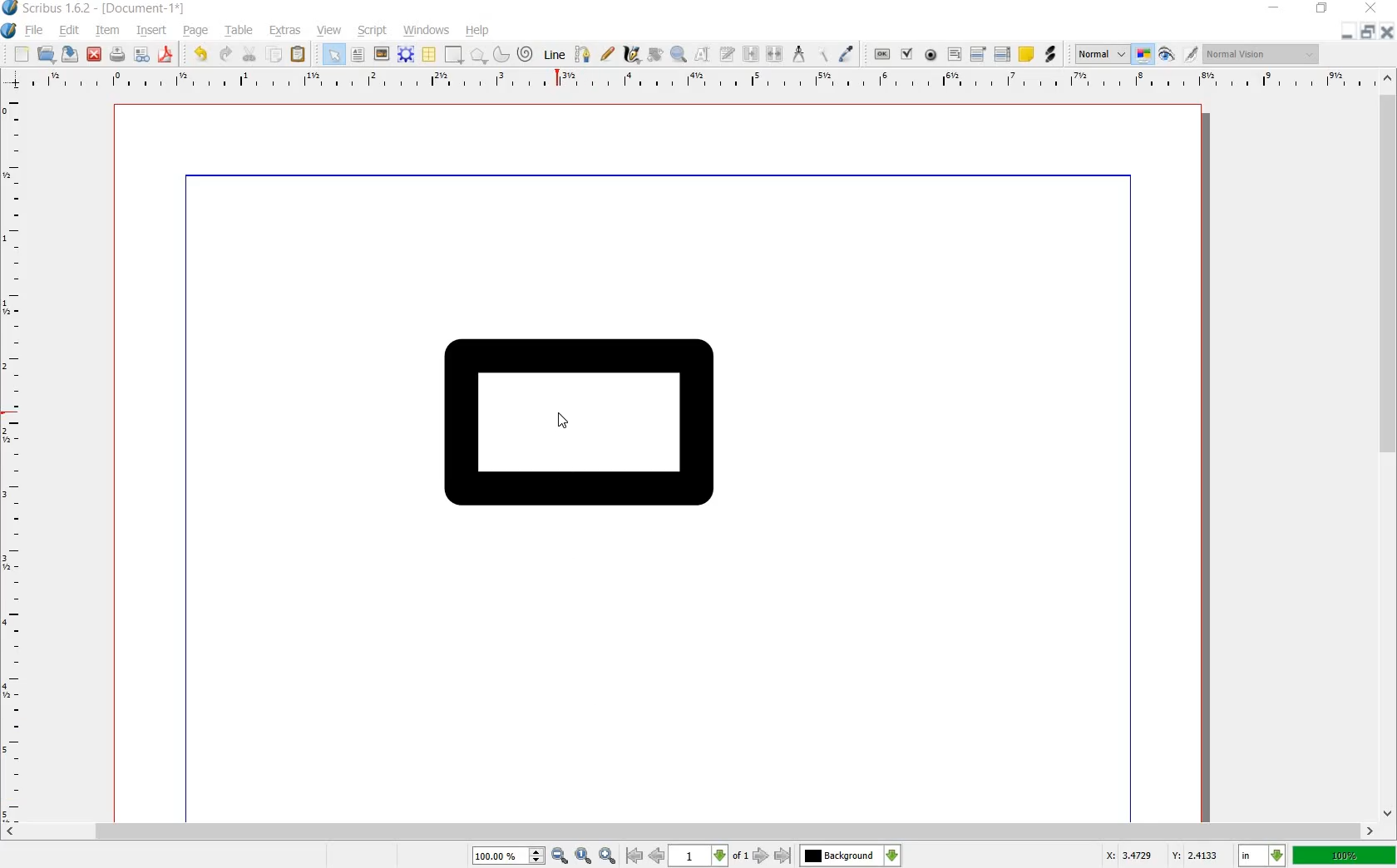 The height and width of the screenshot is (868, 1397). What do you see at coordinates (655, 54) in the screenshot?
I see `rotate item` at bounding box center [655, 54].